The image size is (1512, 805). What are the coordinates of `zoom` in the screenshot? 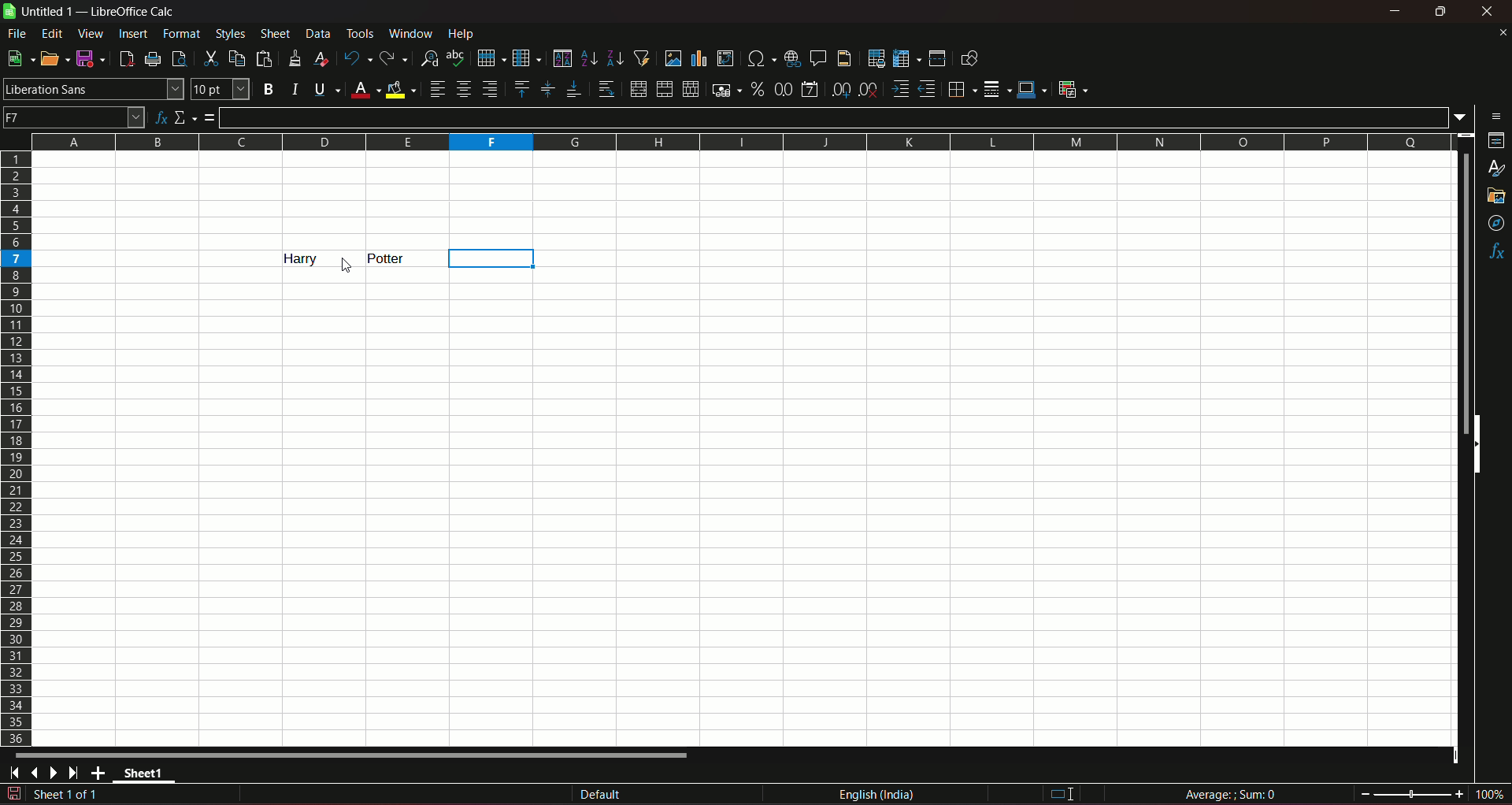 It's located at (1432, 792).